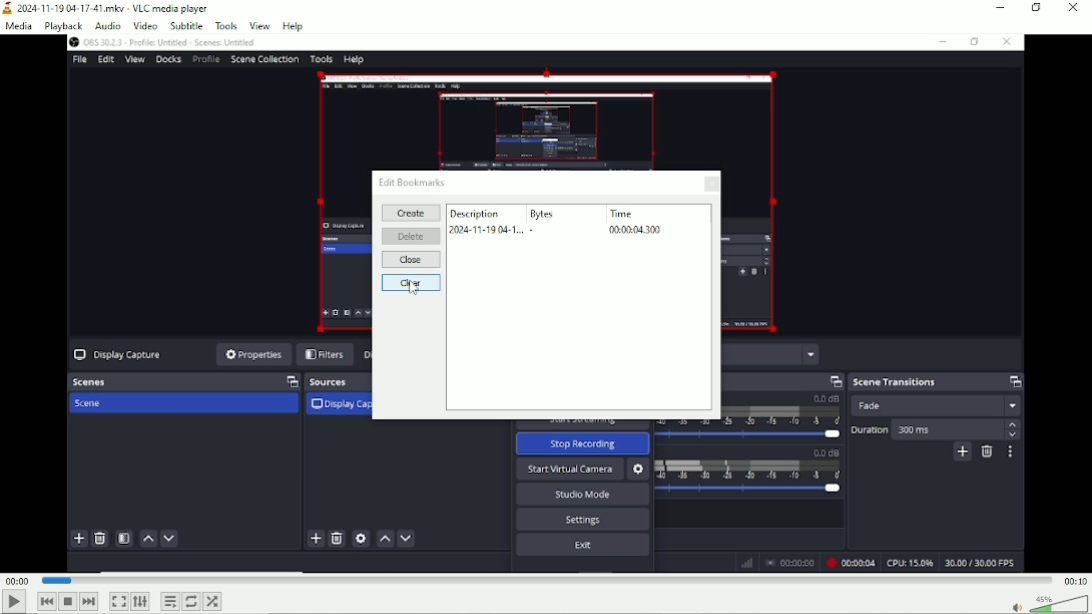  Describe the element at coordinates (1048, 604) in the screenshot. I see `Volume` at that location.